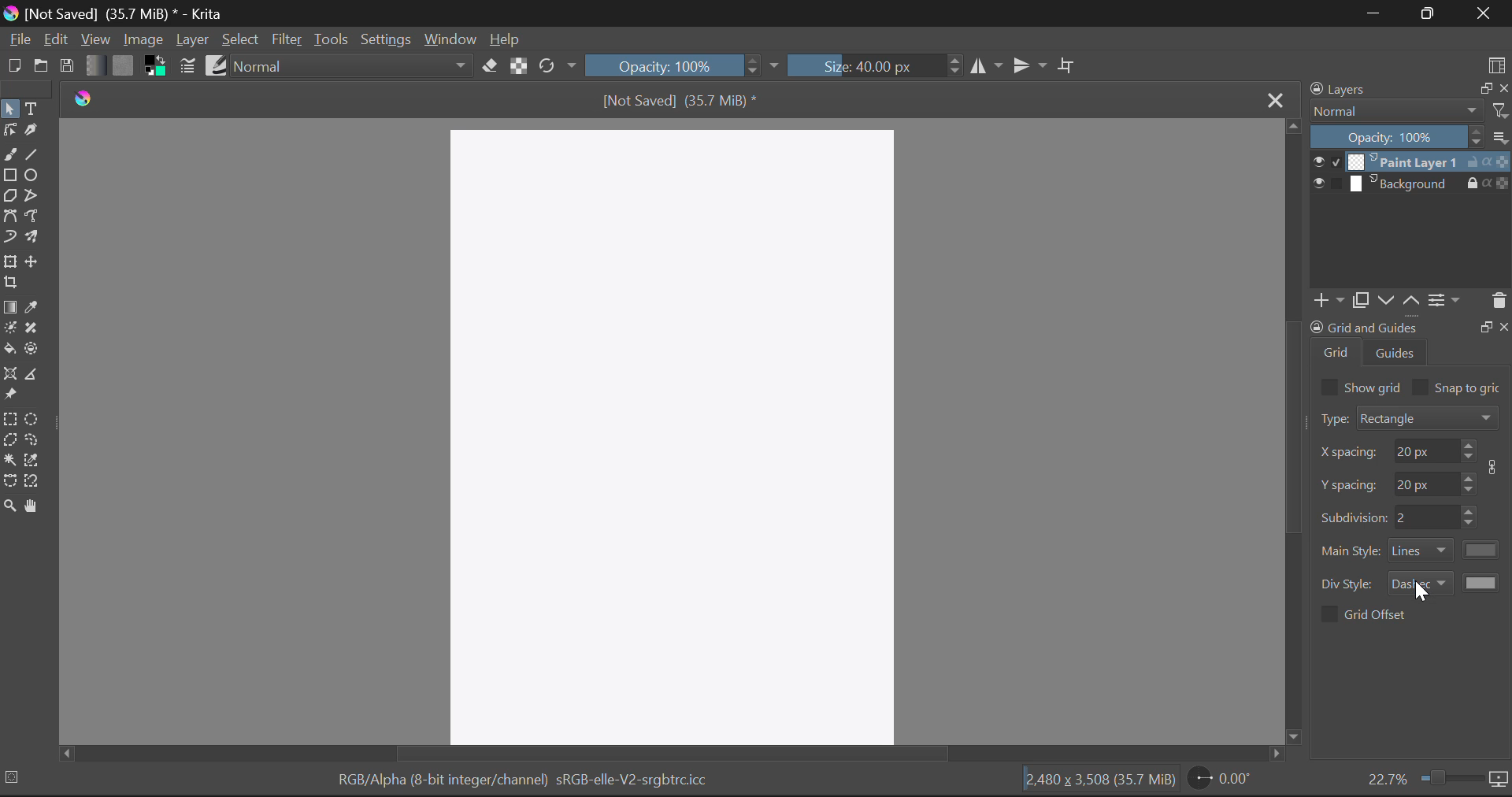  Describe the element at coordinates (1350, 484) in the screenshot. I see `spacing y` at that location.